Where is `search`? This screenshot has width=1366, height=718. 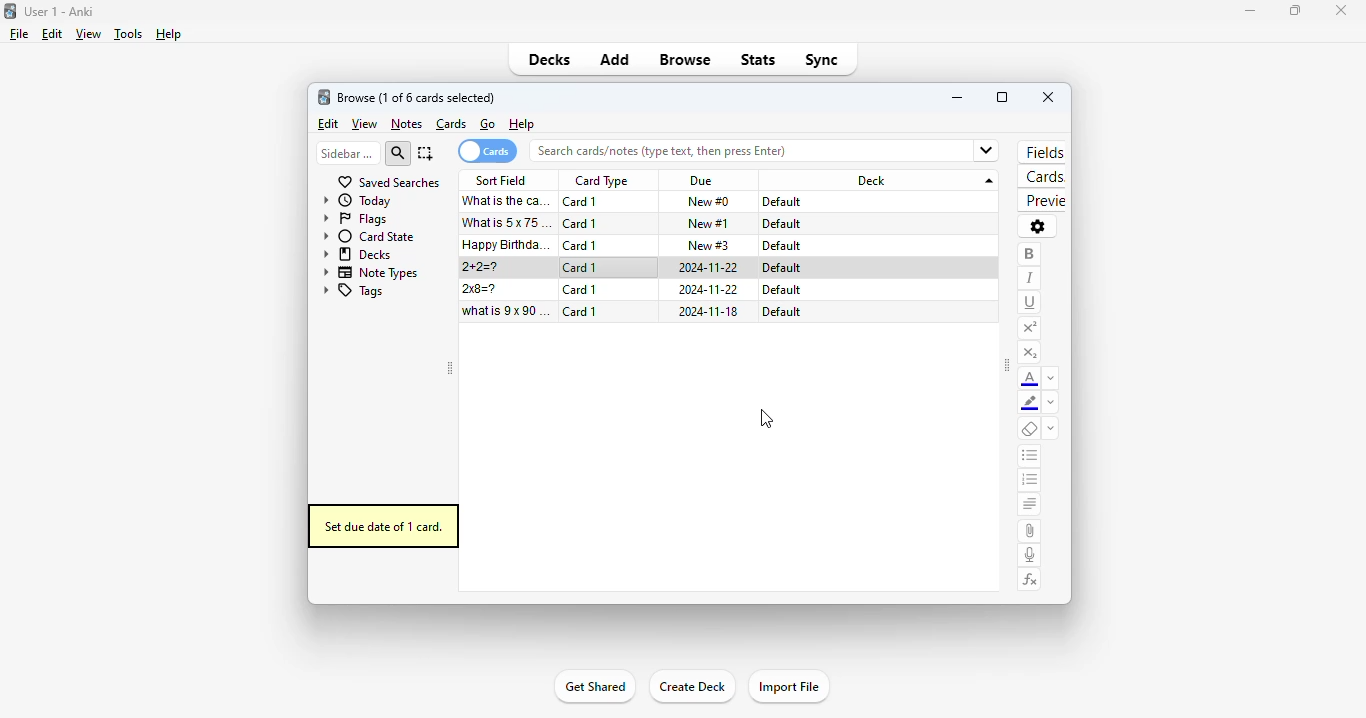 search is located at coordinates (399, 153).